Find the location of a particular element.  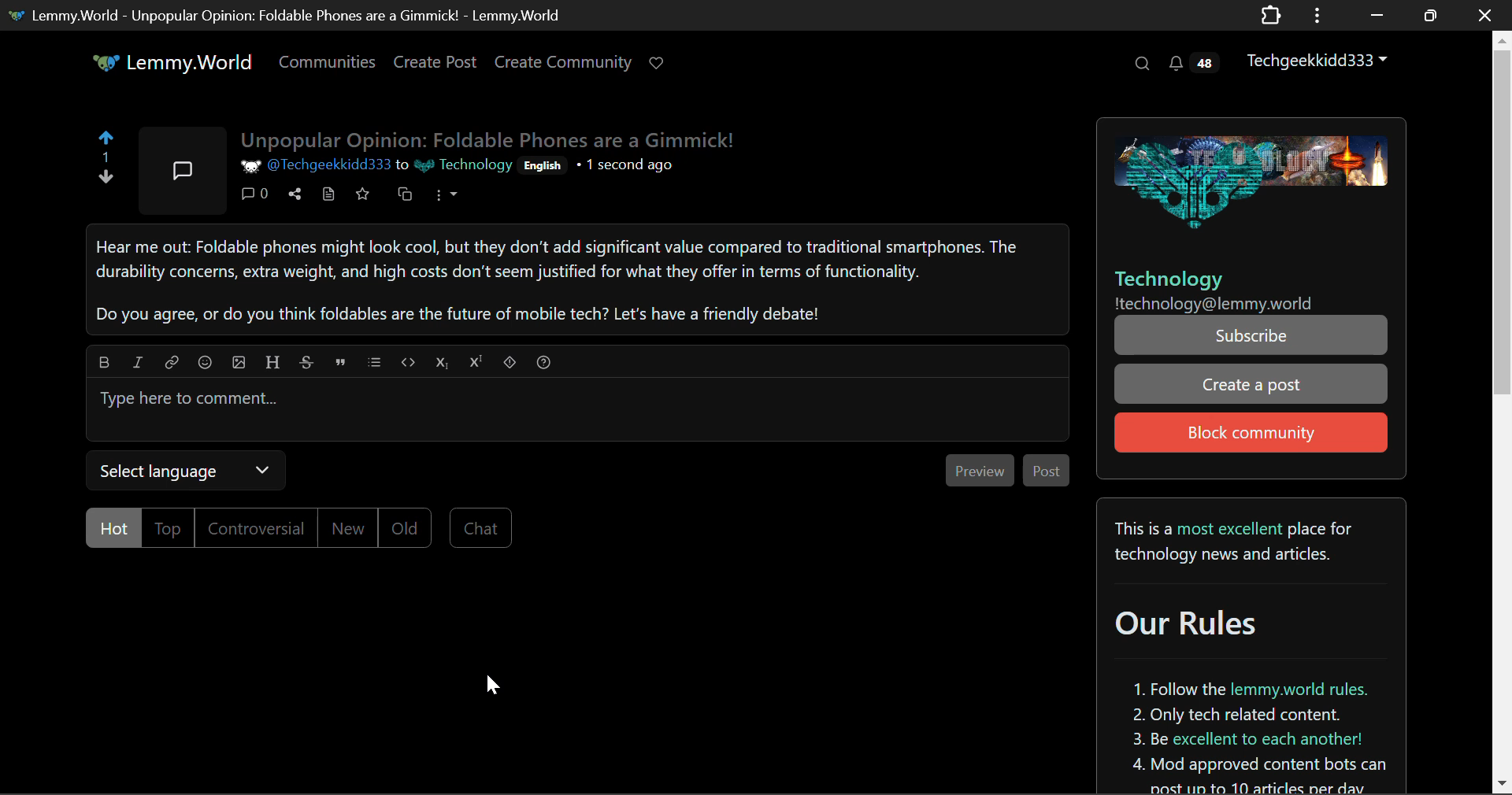

subscript is located at coordinates (441, 363).